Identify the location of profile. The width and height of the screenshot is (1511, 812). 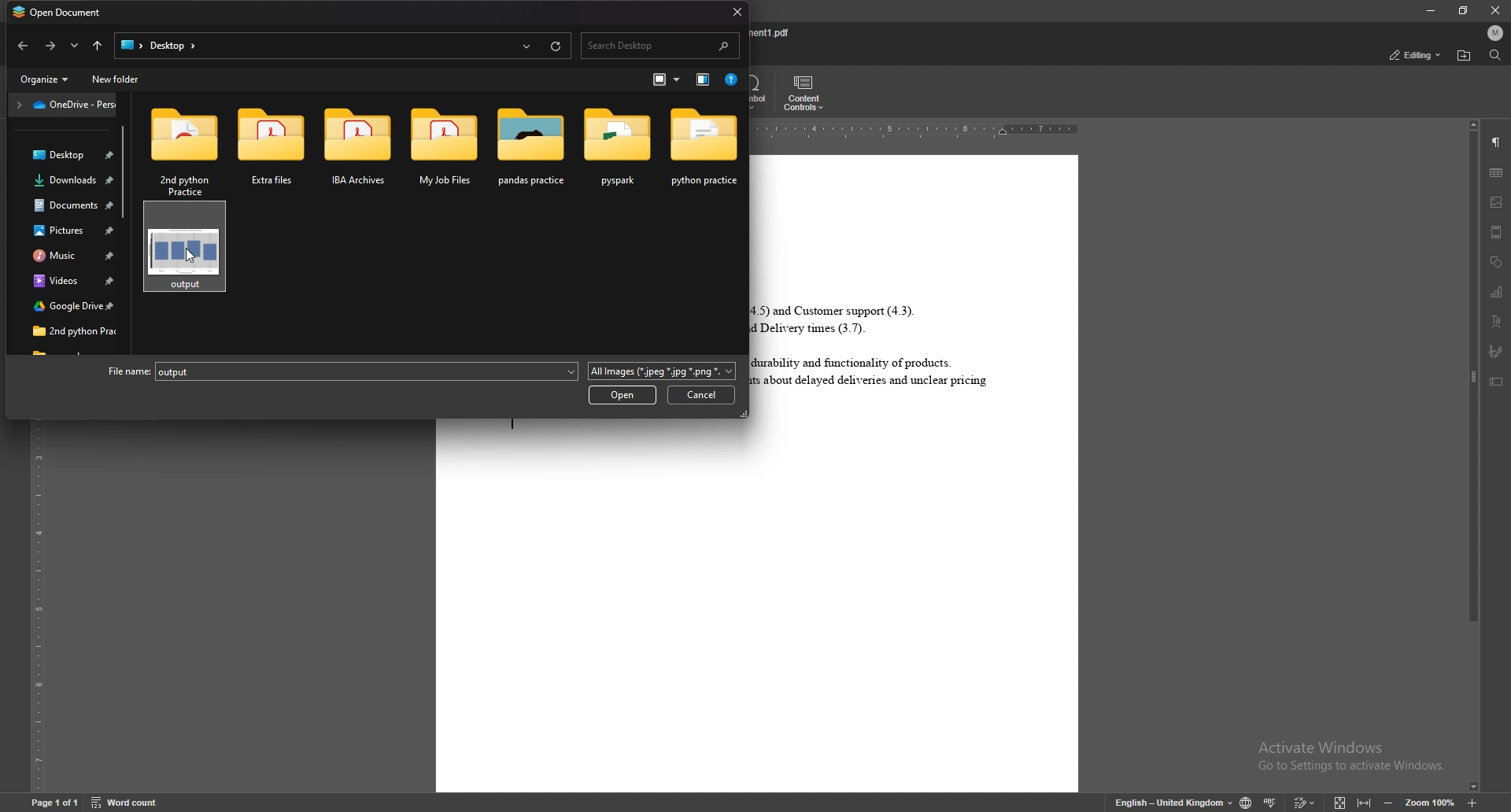
(1495, 32).